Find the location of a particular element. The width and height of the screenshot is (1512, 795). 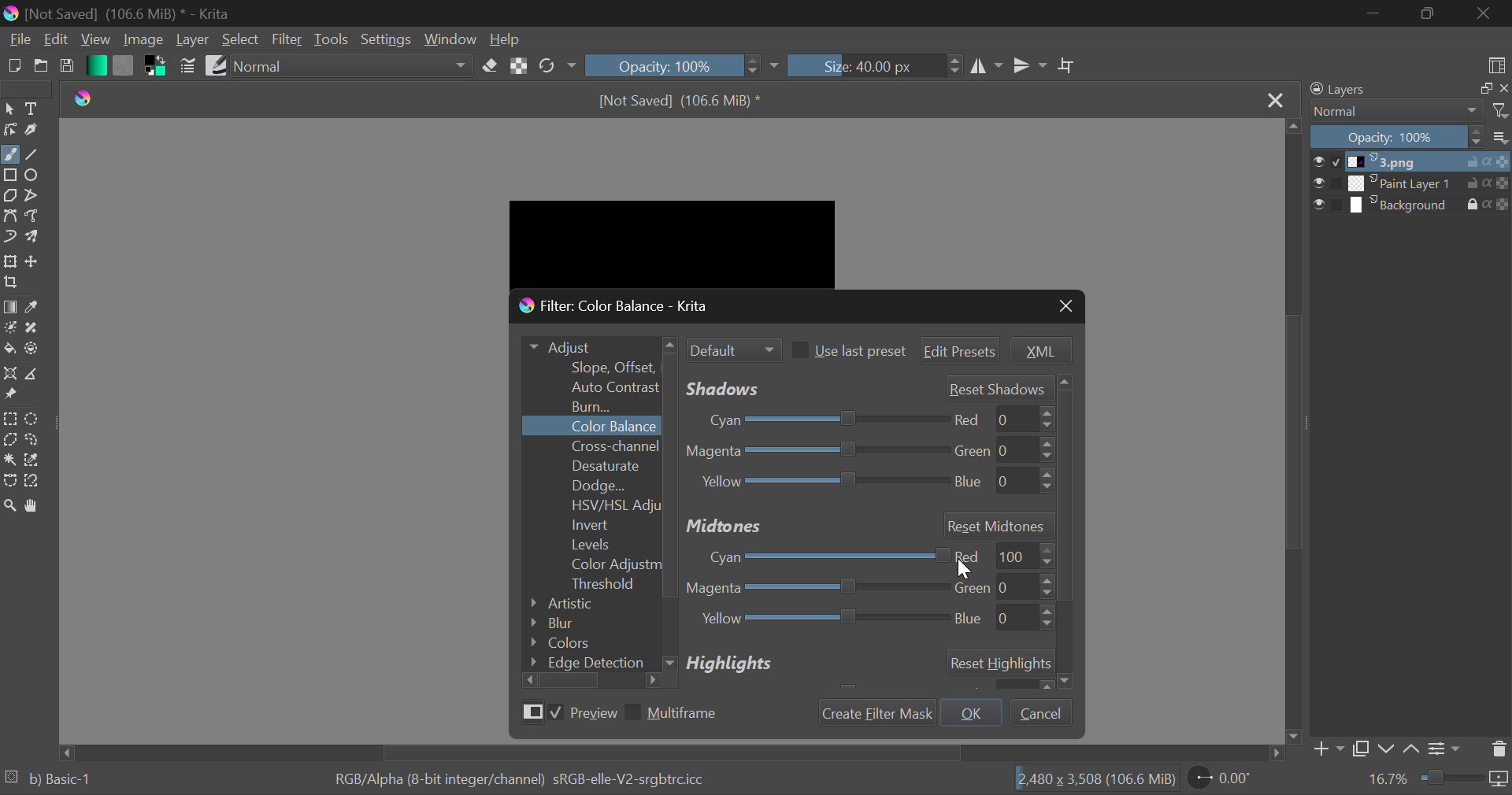

filter is located at coordinates (1501, 113).